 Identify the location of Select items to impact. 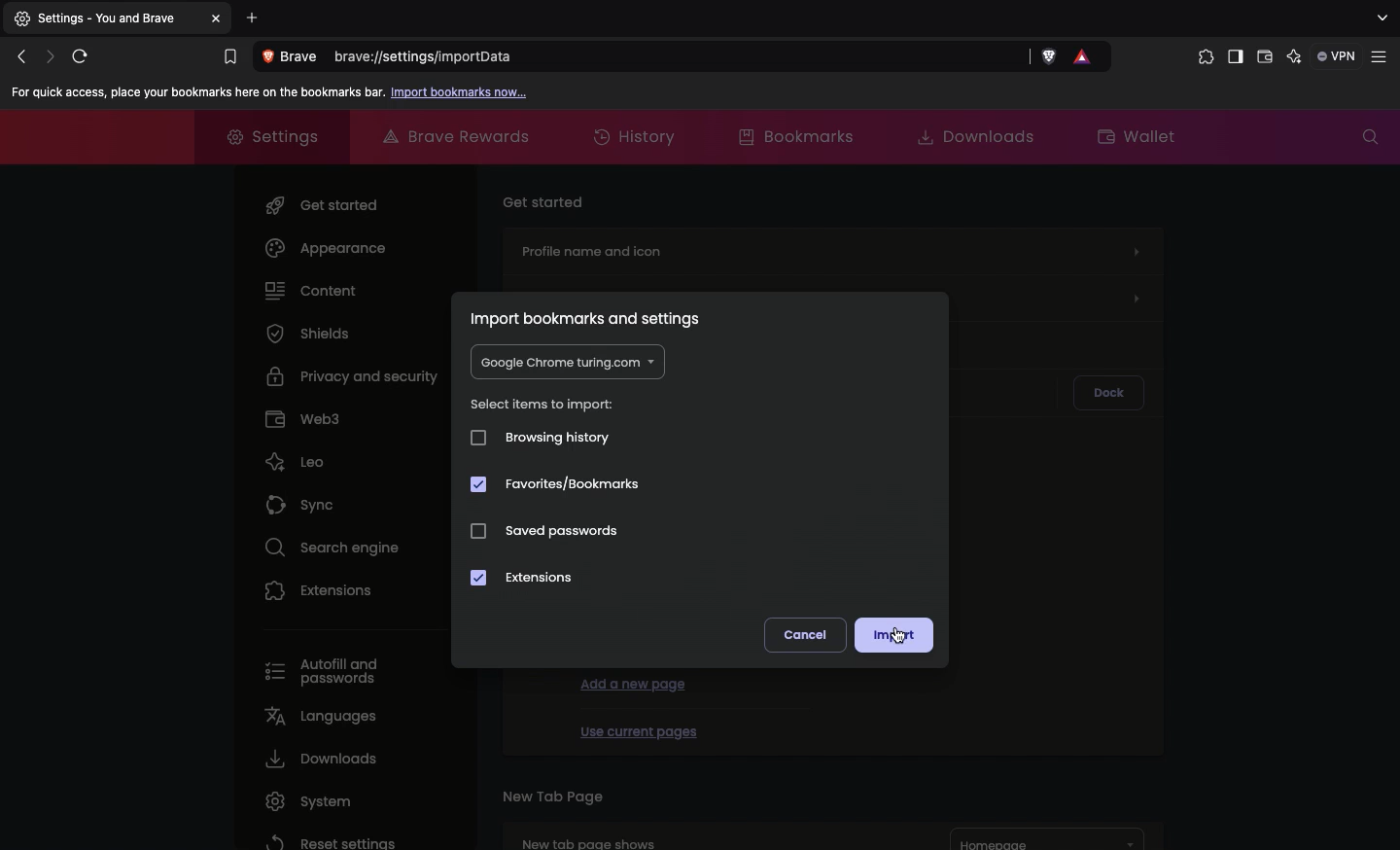
(544, 405).